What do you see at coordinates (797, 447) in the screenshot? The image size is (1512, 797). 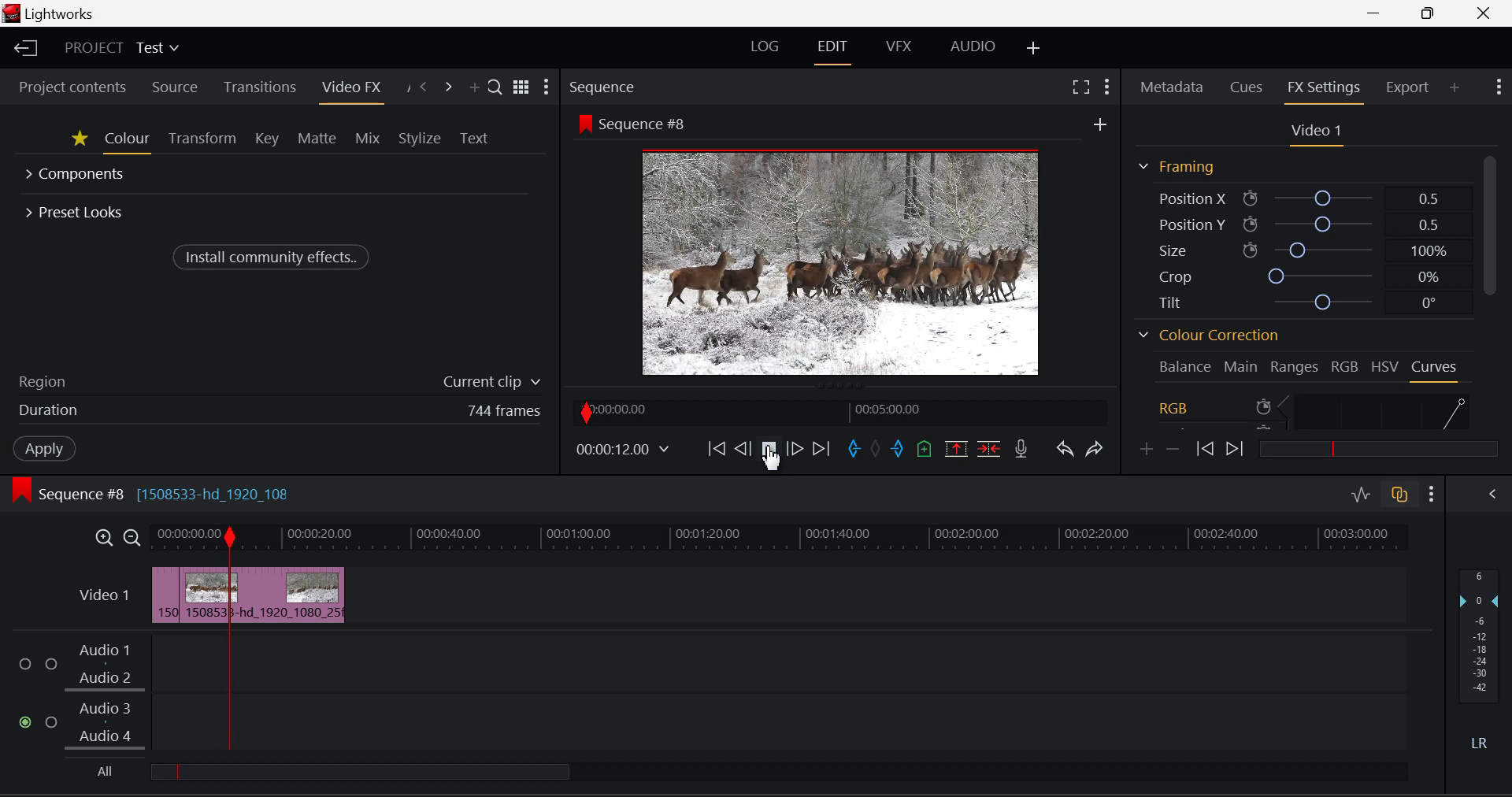 I see `Go Forward` at bounding box center [797, 447].